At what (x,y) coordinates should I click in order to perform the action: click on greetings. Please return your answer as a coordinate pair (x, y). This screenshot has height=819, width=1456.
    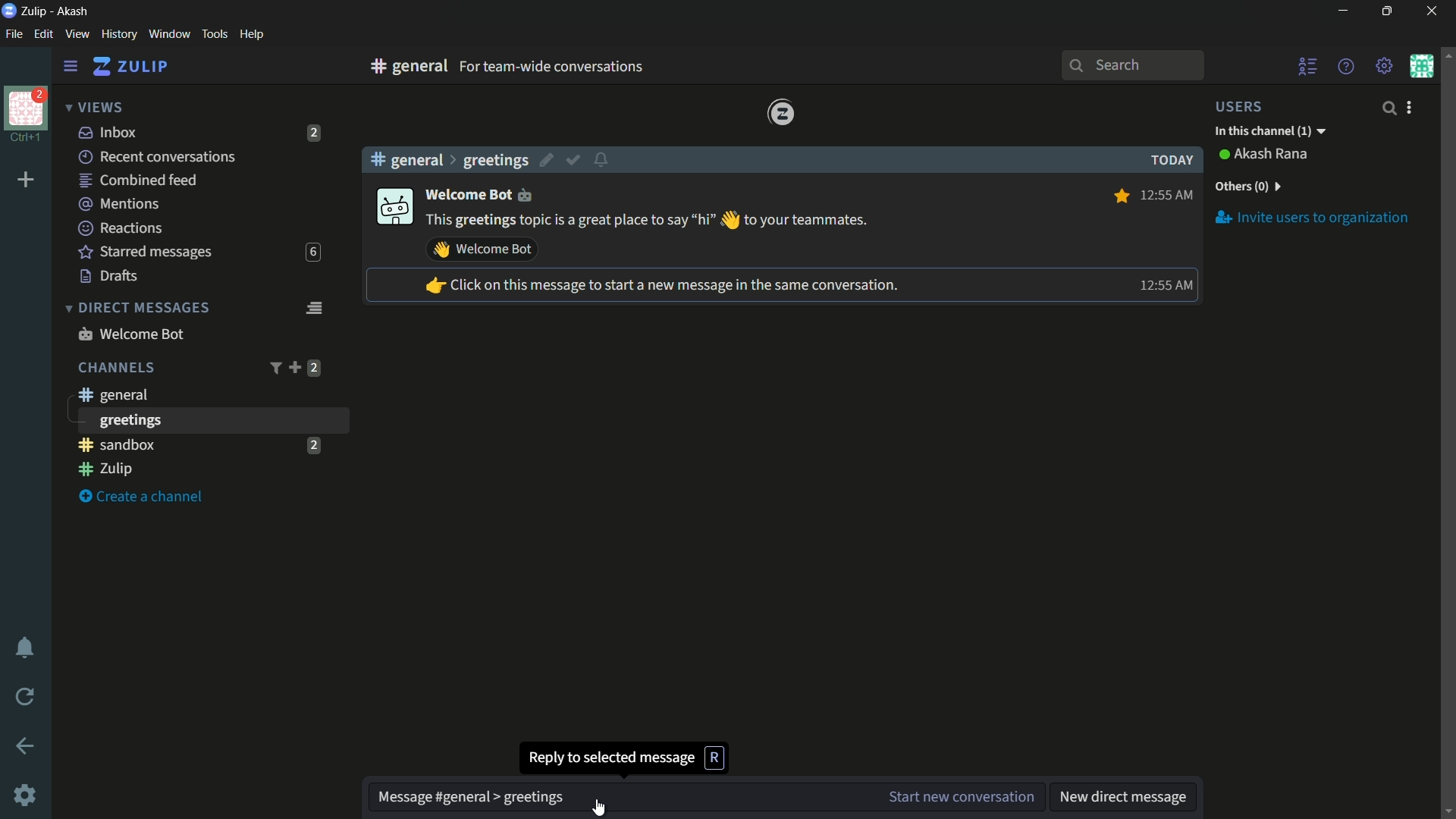
    Looking at the image, I should click on (495, 160).